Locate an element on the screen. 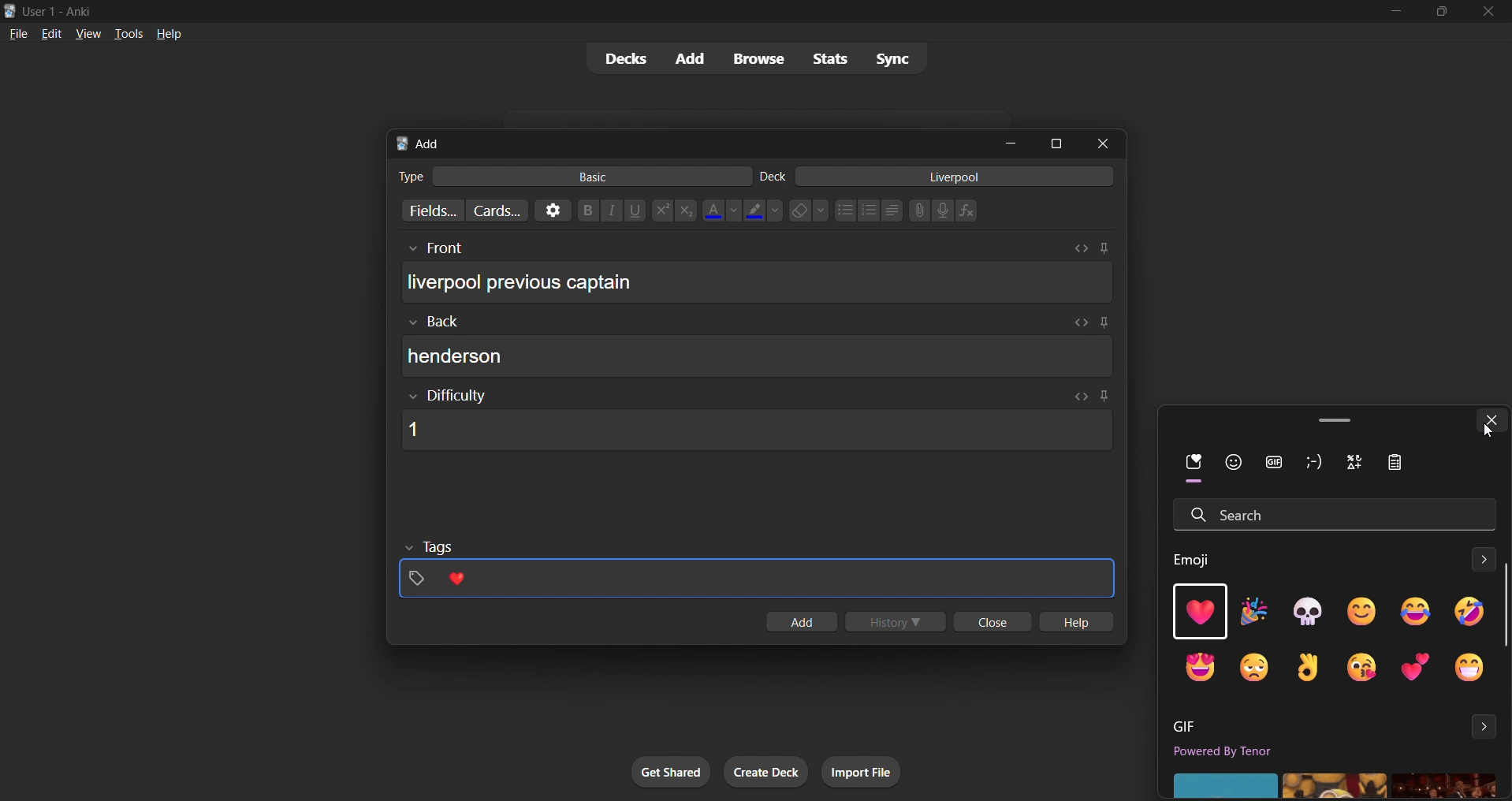 The height and width of the screenshot is (801, 1512). edit is located at coordinates (47, 32).